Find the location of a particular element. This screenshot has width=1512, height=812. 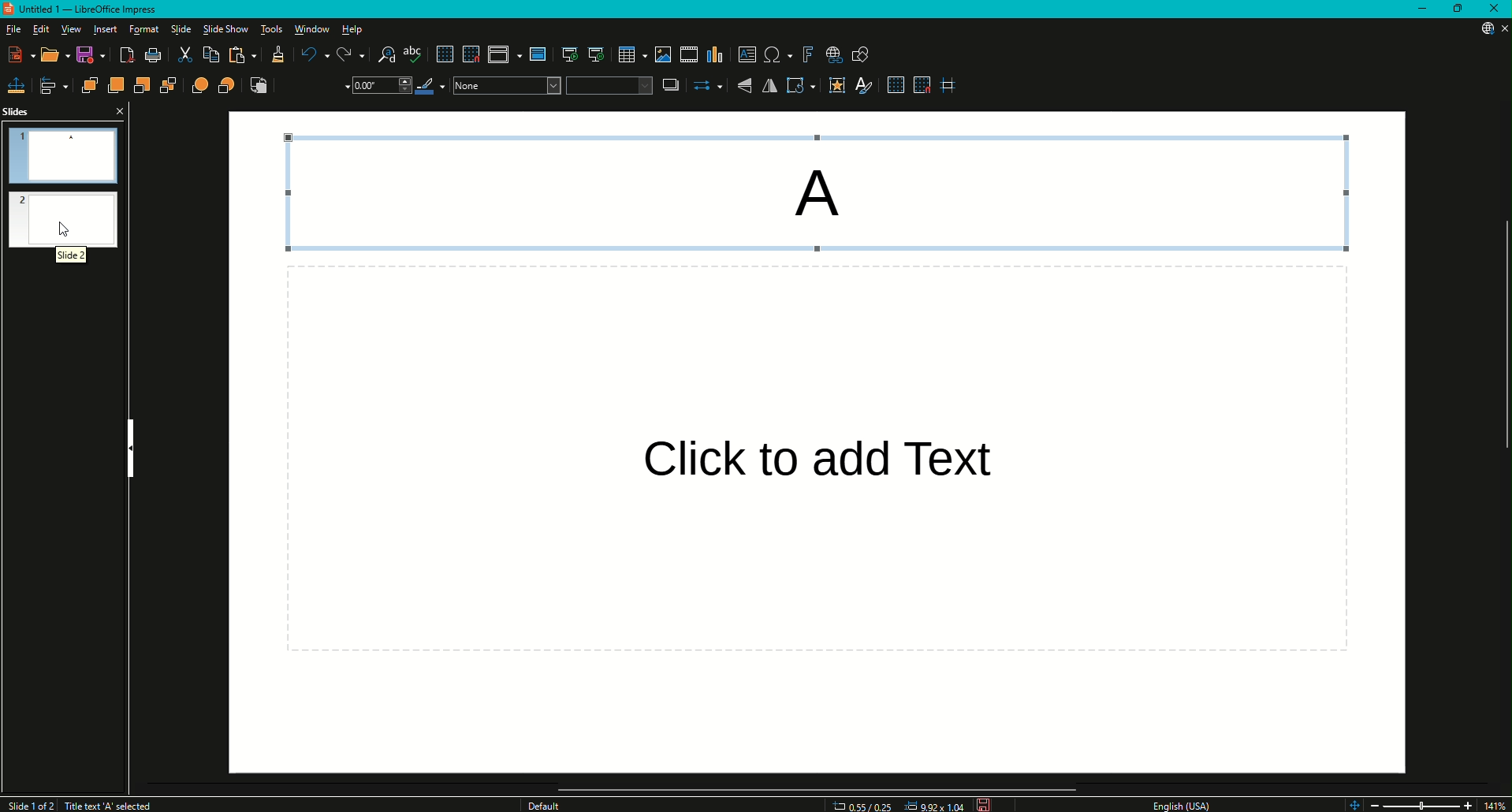

Select Start and End is located at coordinates (708, 88).